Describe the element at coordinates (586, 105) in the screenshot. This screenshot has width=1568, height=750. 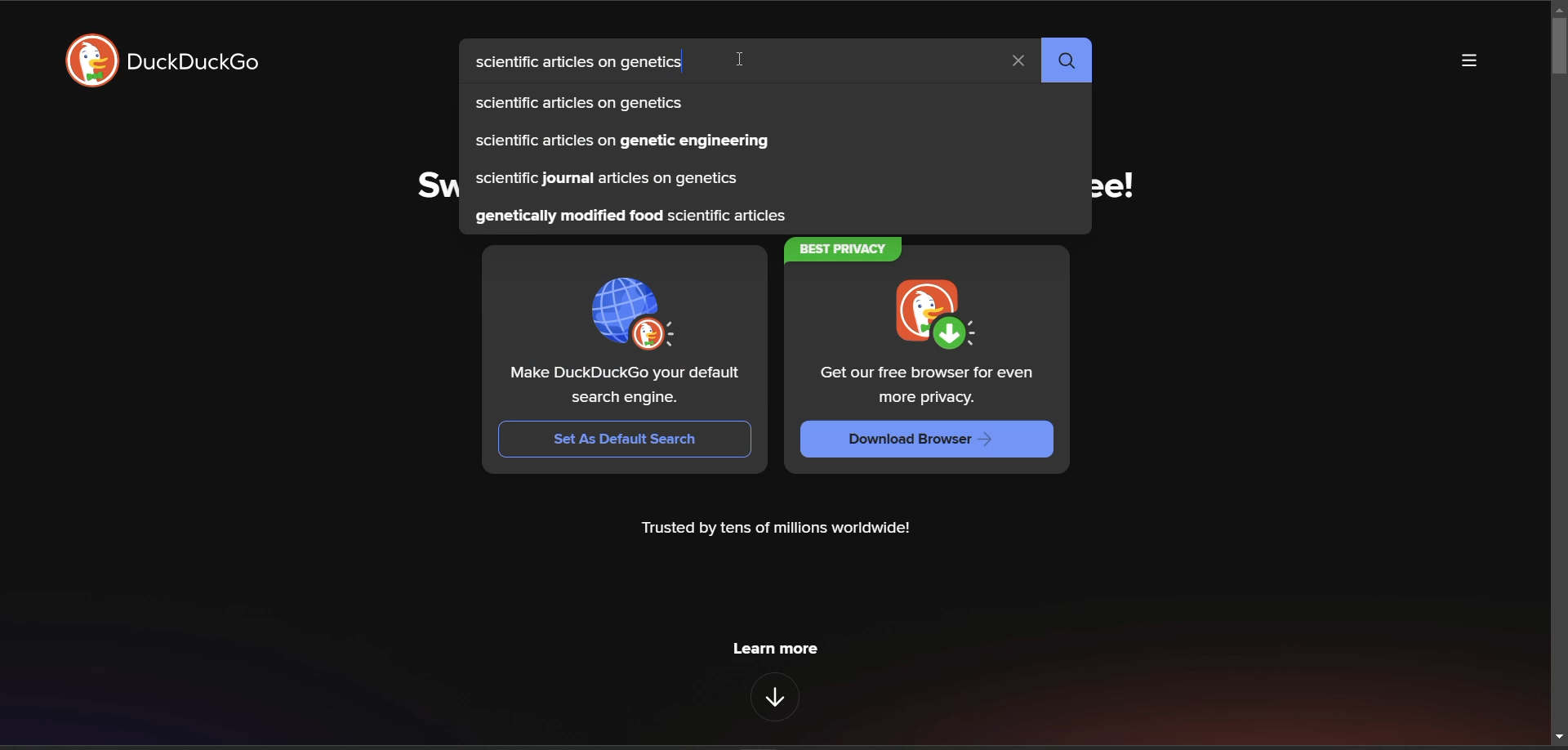
I see `scientific articles on genetics` at that location.